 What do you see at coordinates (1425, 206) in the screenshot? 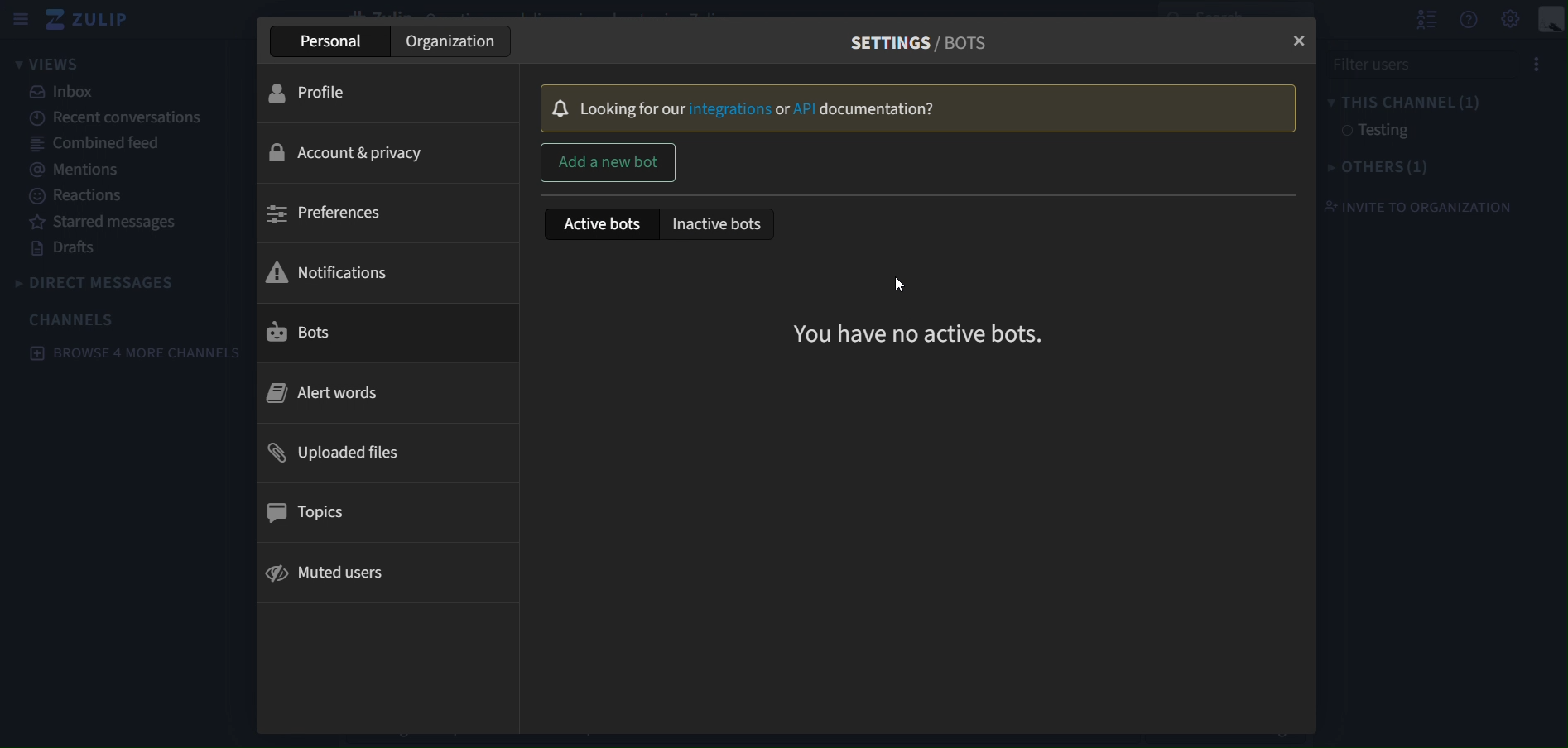
I see `invite to organization` at bounding box center [1425, 206].